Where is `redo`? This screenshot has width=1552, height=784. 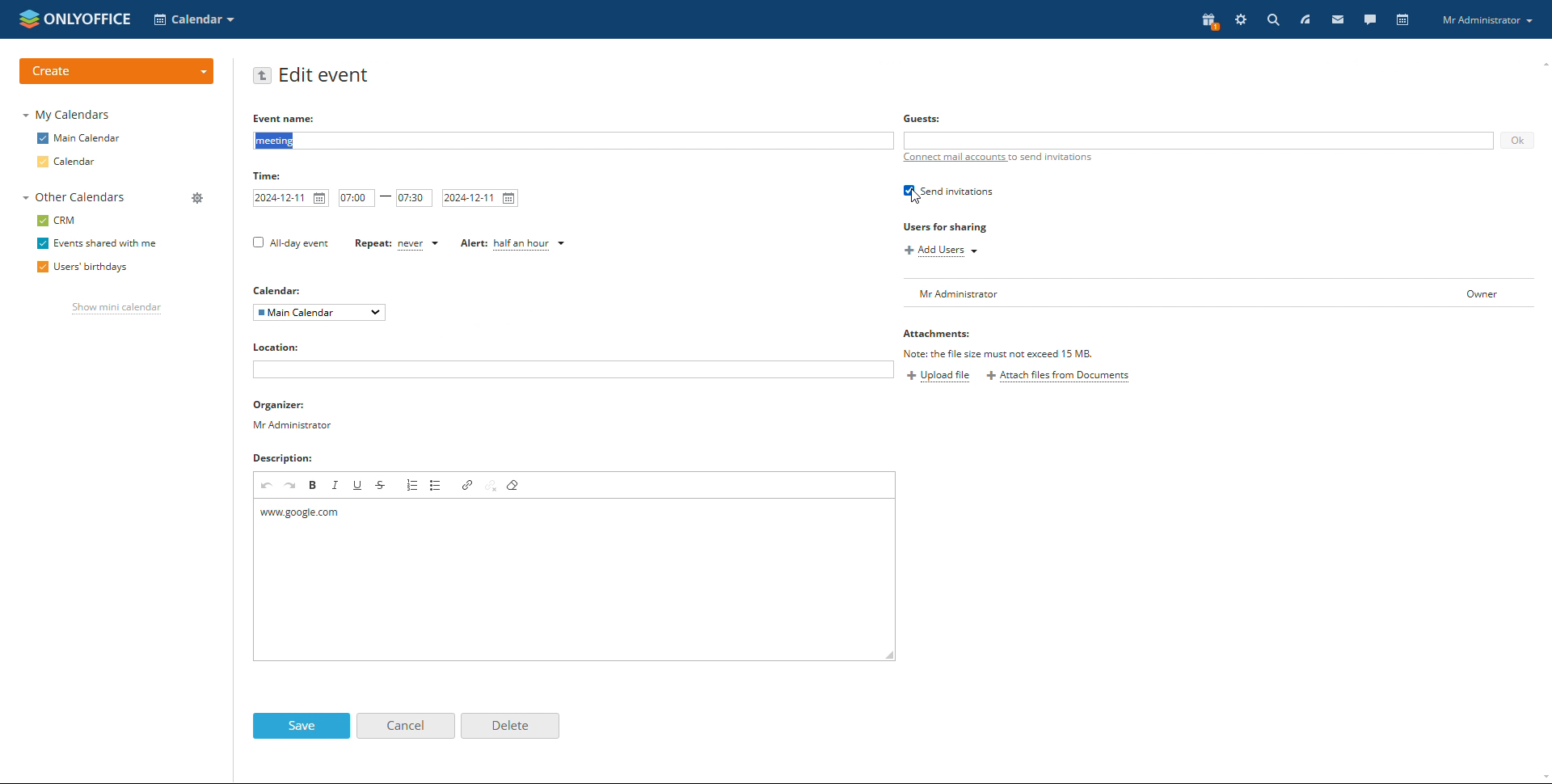
redo is located at coordinates (291, 486).